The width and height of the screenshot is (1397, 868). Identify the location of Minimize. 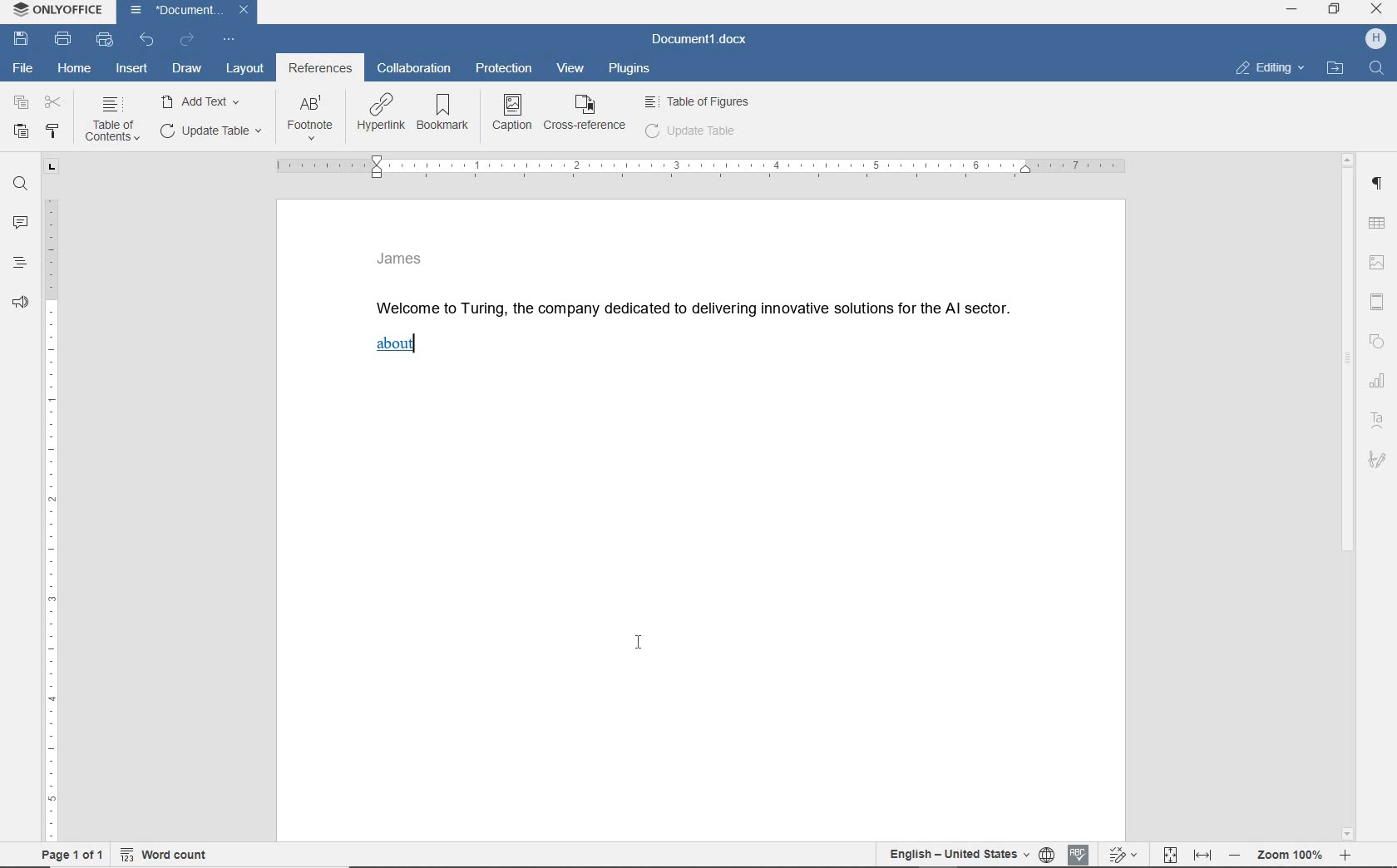
(1294, 13).